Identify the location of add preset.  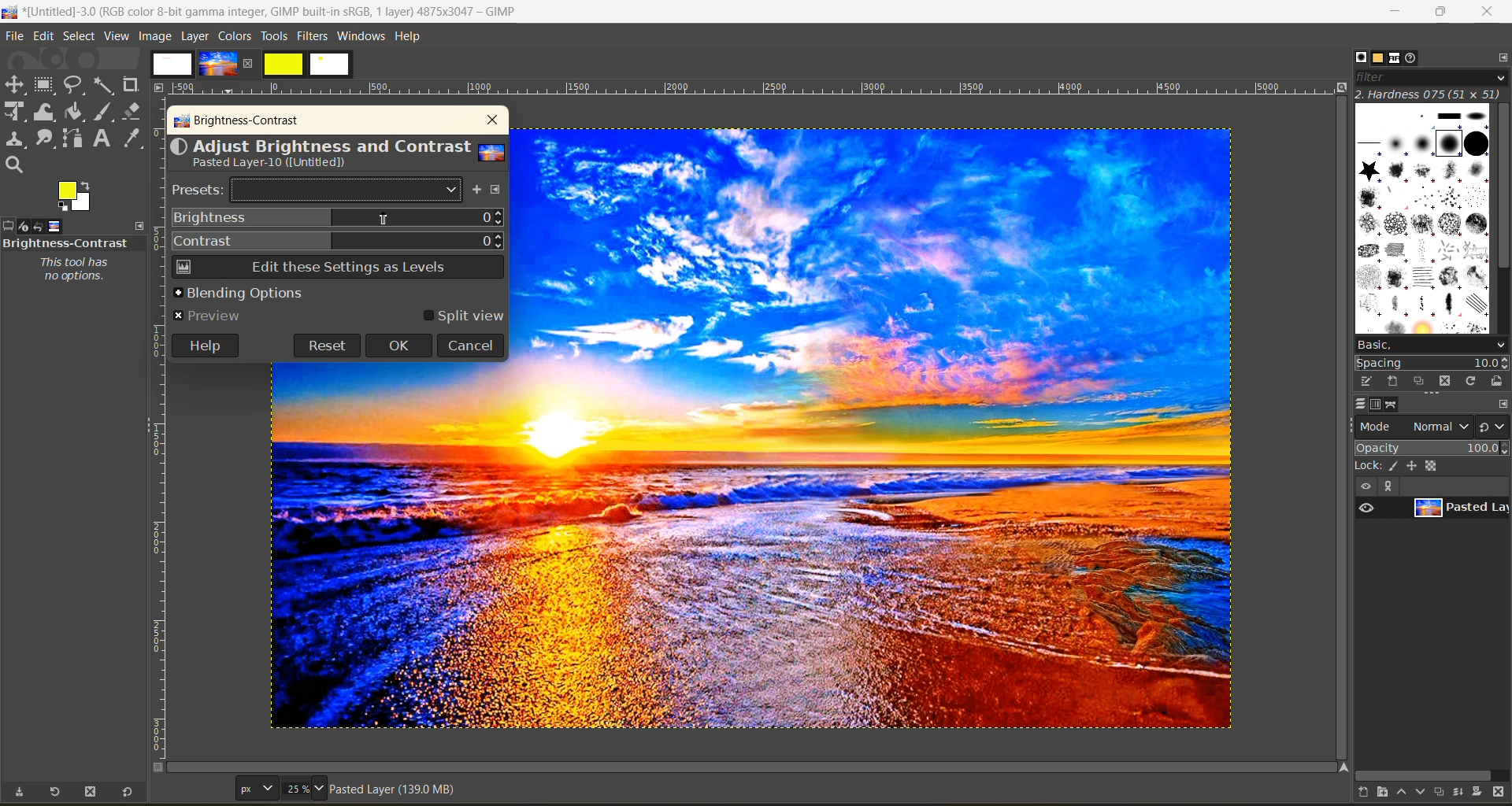
(478, 191).